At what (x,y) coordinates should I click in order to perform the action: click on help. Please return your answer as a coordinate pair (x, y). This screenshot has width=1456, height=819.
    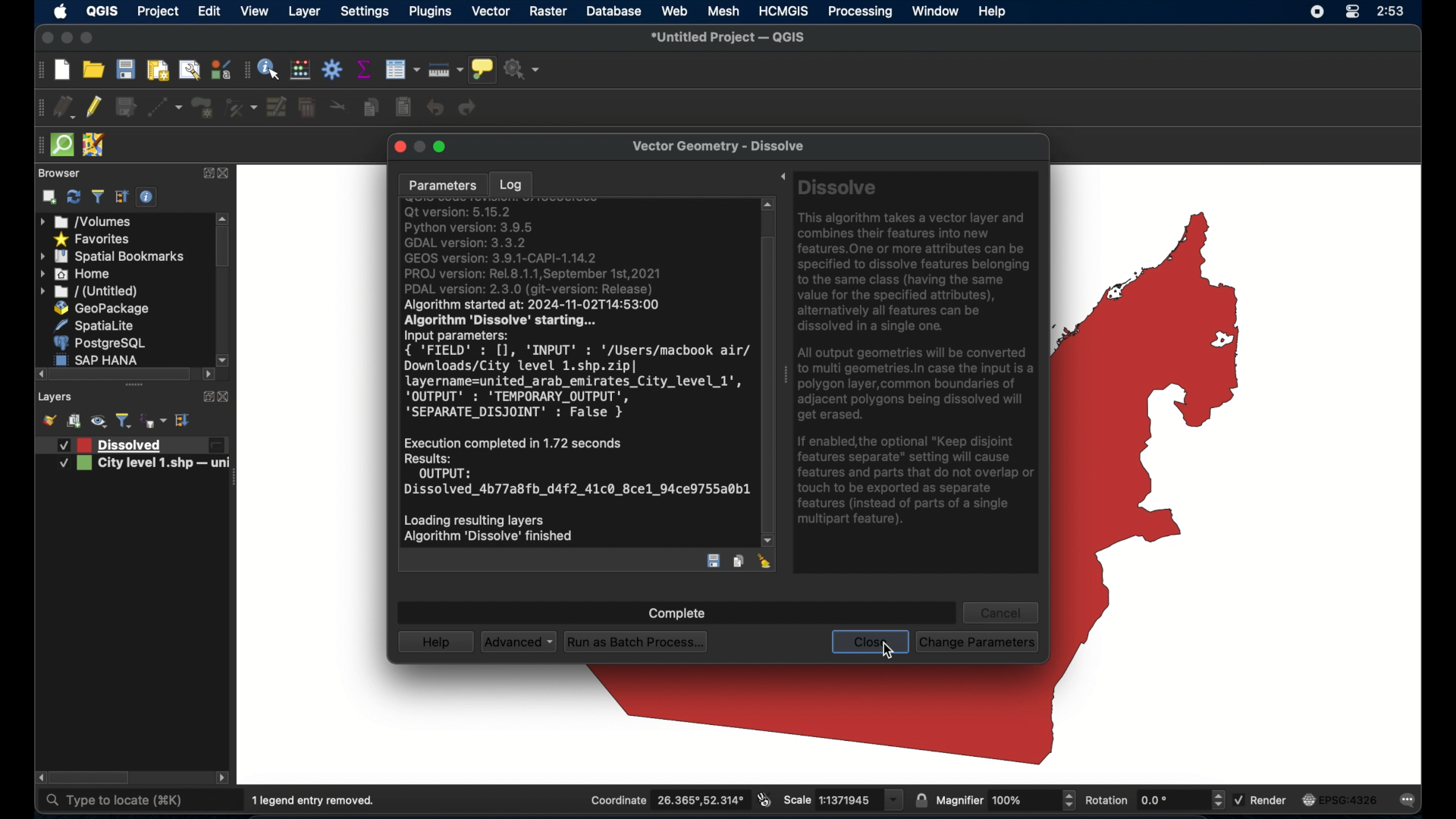
    Looking at the image, I should click on (994, 12).